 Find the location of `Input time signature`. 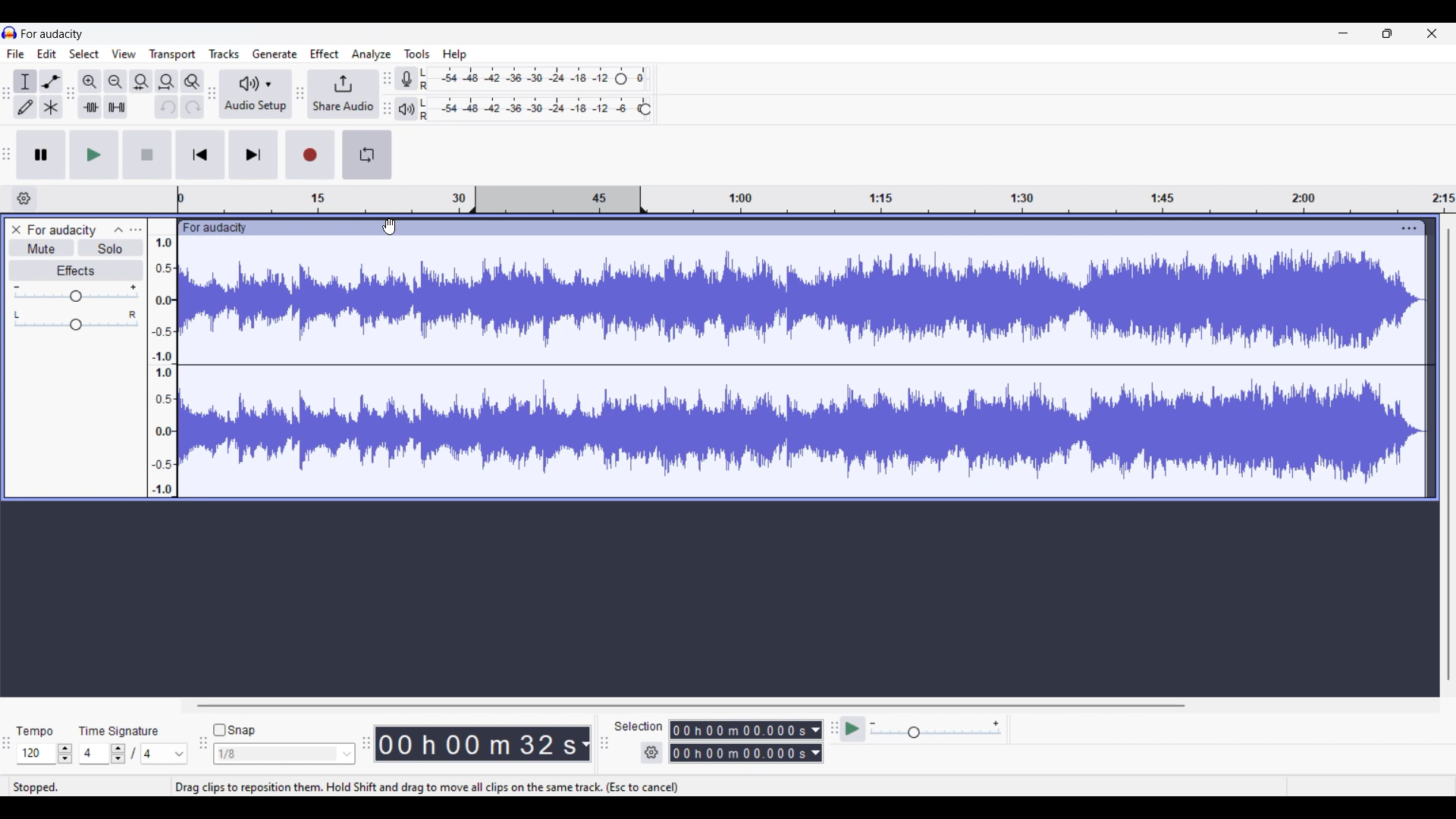

Input time signature is located at coordinates (93, 752).